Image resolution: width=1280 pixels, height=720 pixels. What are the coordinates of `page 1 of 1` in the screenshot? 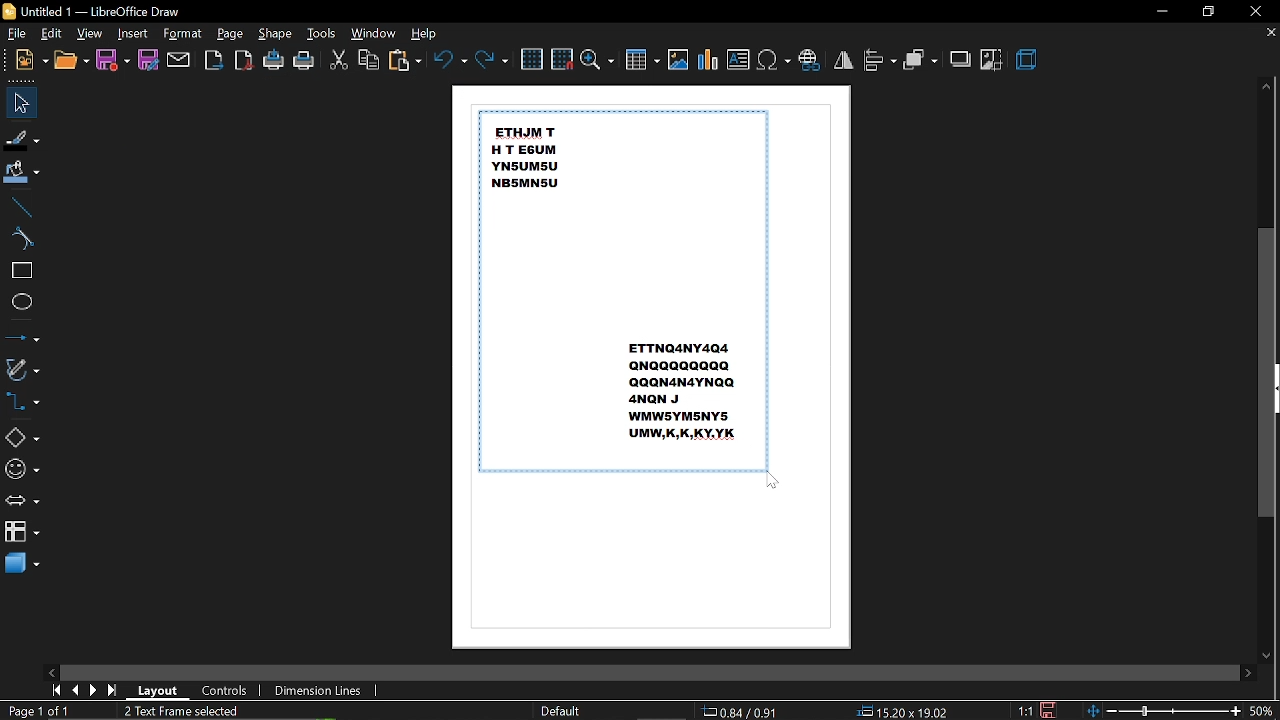 It's located at (36, 710).